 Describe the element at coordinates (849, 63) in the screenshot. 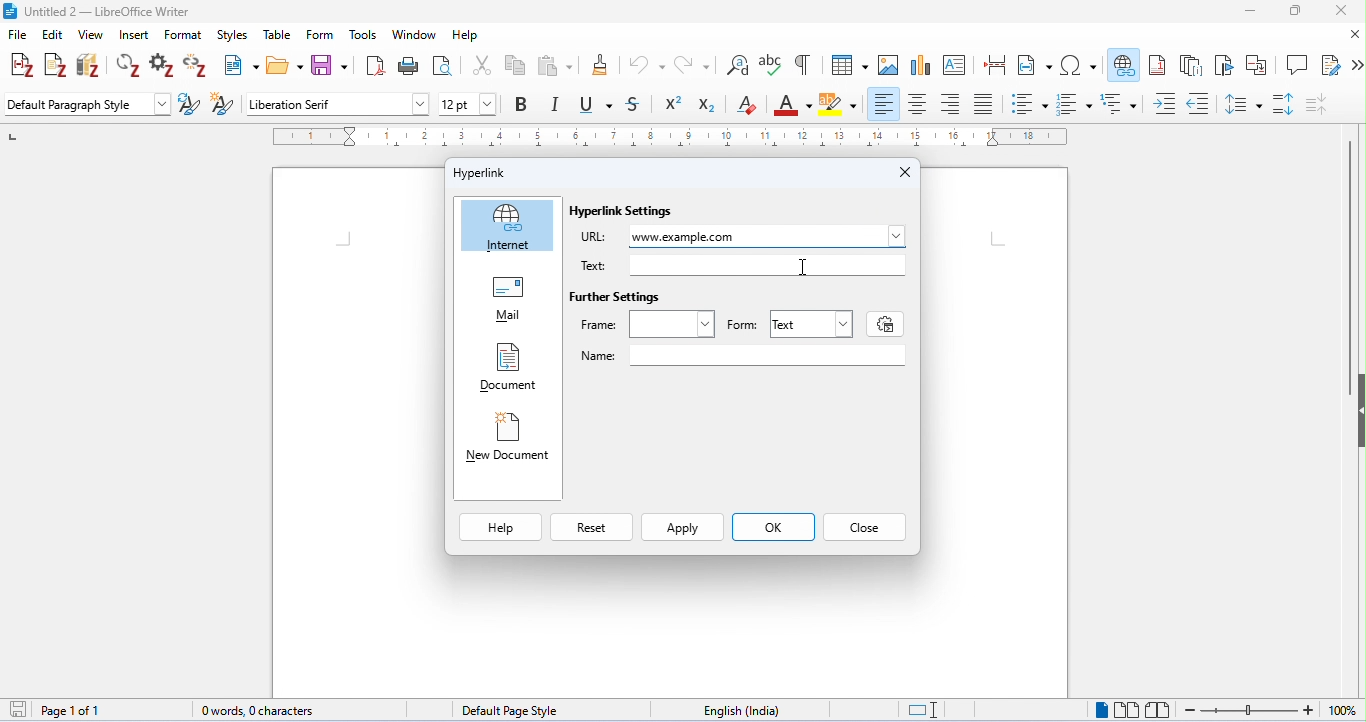

I see `insert table` at that location.